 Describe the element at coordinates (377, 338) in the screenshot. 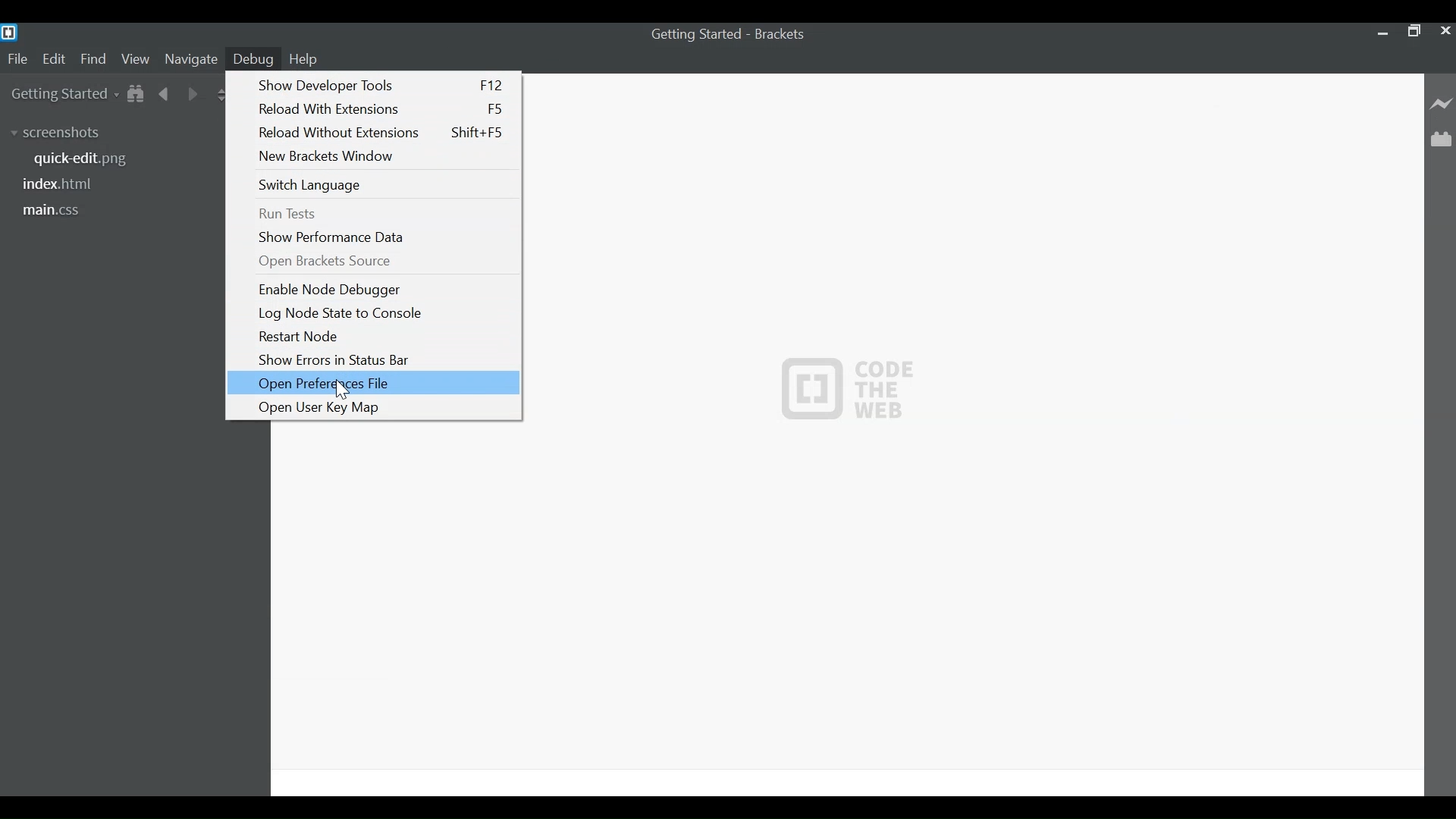

I see `Restart Node` at that location.